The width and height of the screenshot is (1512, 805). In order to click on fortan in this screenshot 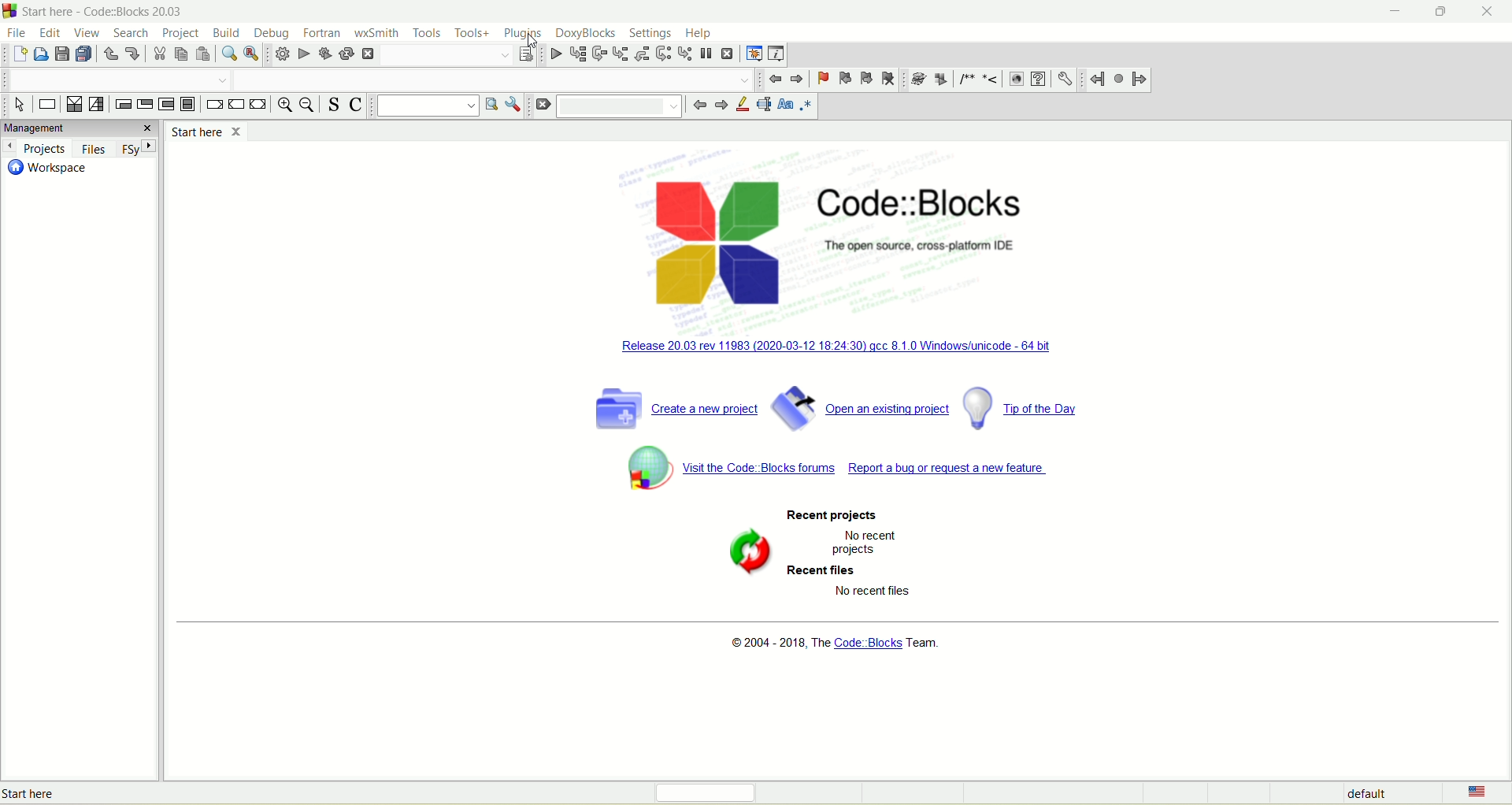, I will do `click(322, 31)`.